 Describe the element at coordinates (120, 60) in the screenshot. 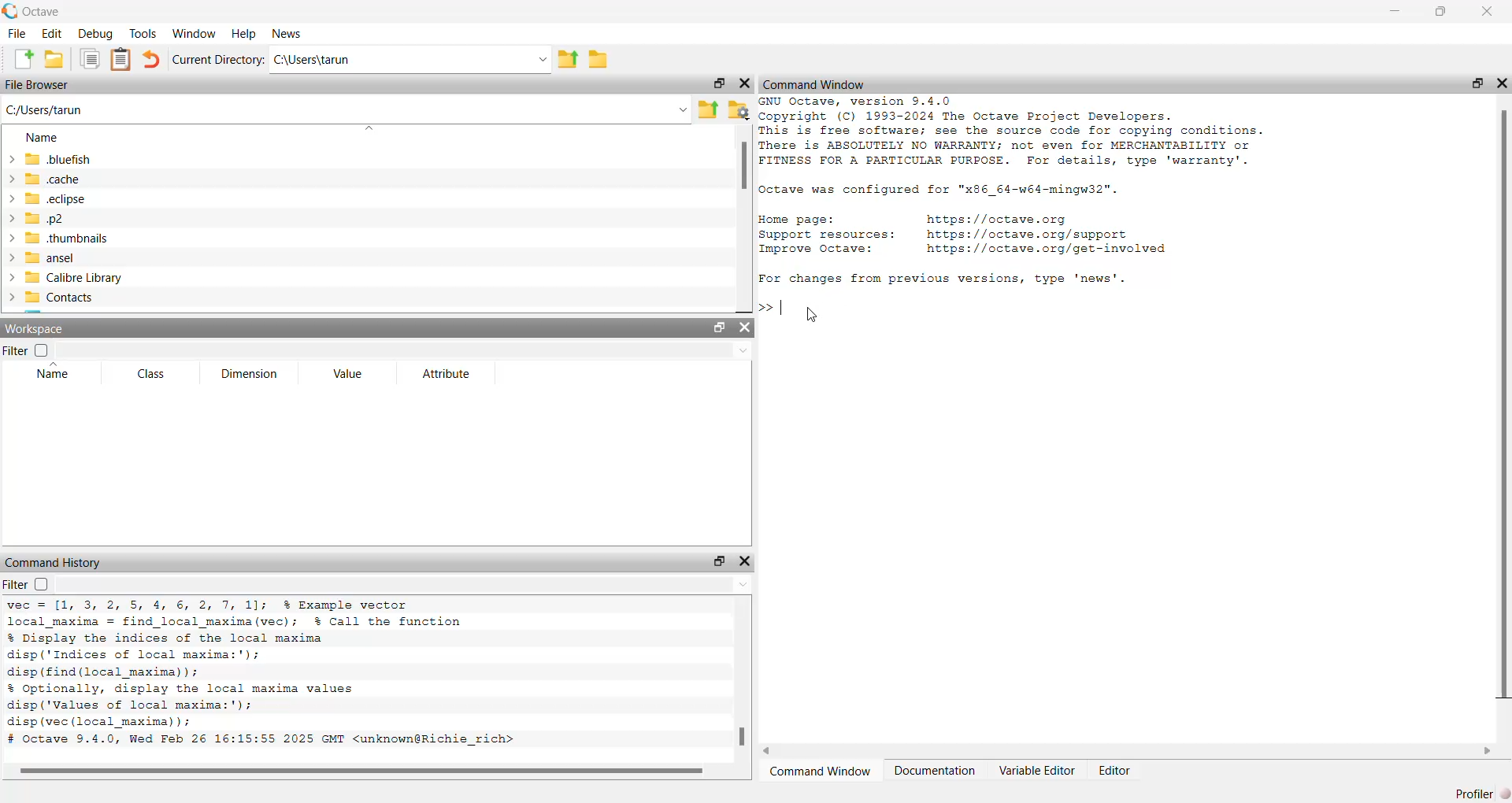

I see `Paste` at that location.